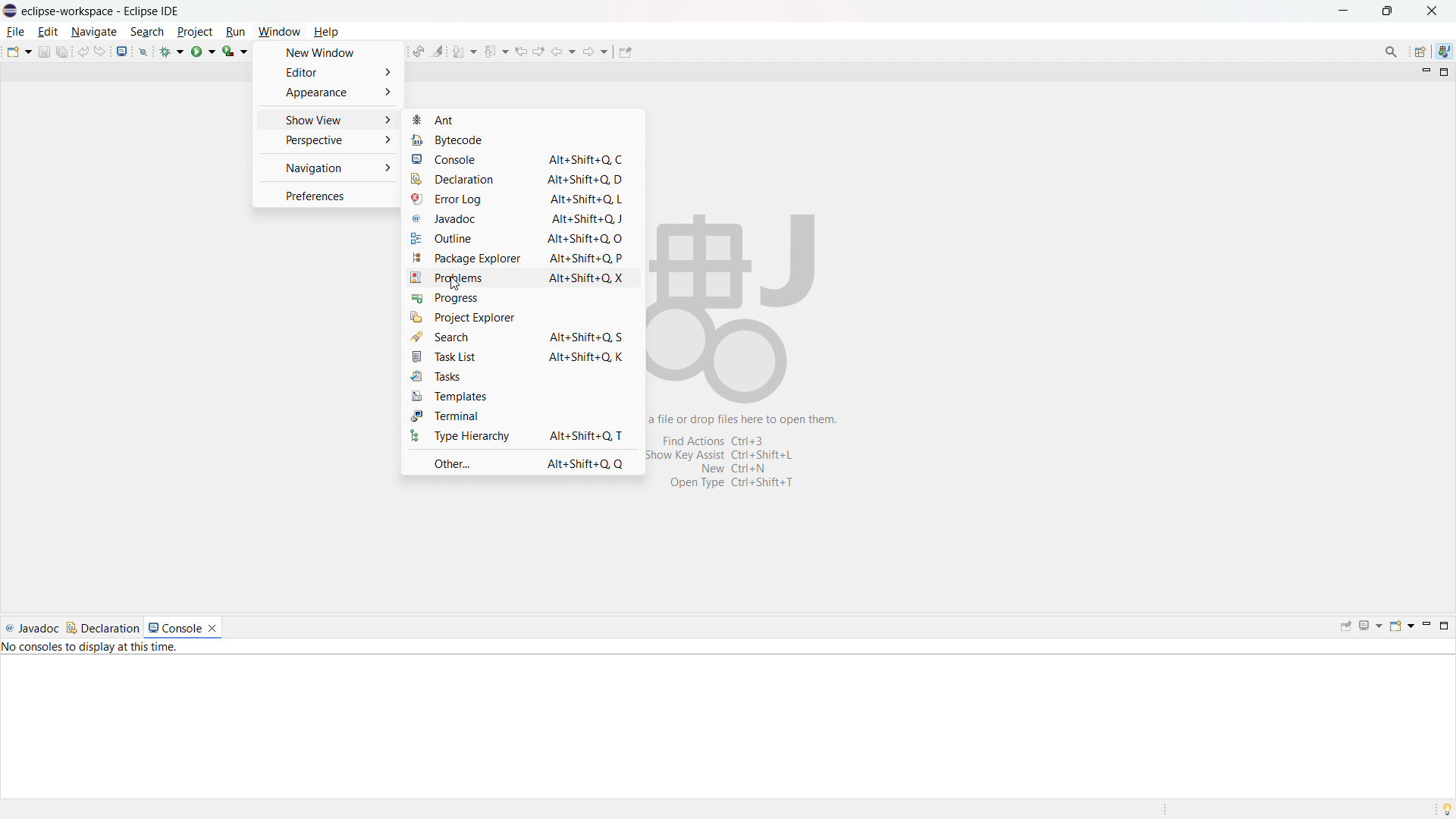 Image resolution: width=1456 pixels, height=819 pixels. Describe the element at coordinates (522, 463) in the screenshot. I see `other` at that location.